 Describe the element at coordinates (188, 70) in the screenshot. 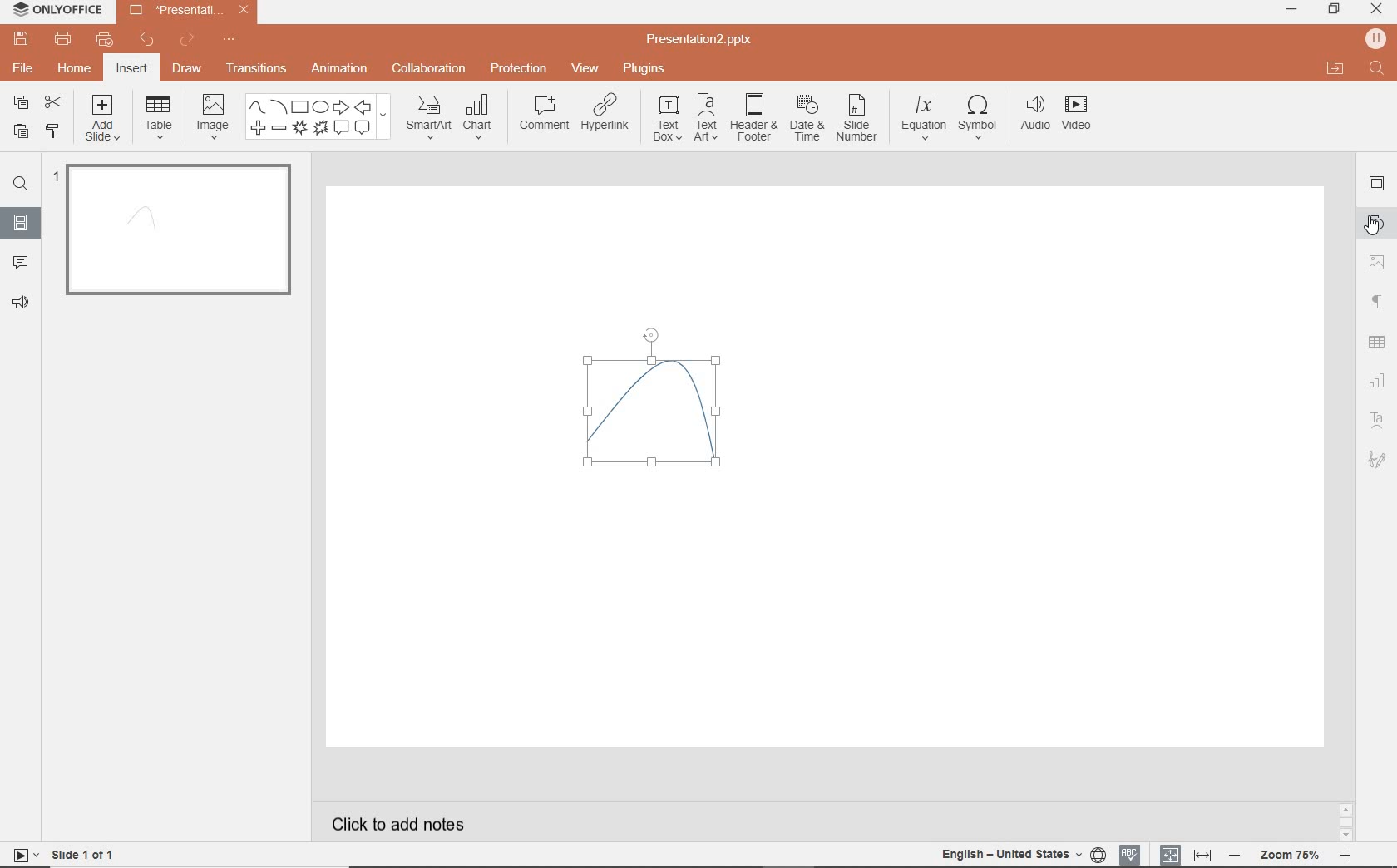

I see `DRAW` at that location.